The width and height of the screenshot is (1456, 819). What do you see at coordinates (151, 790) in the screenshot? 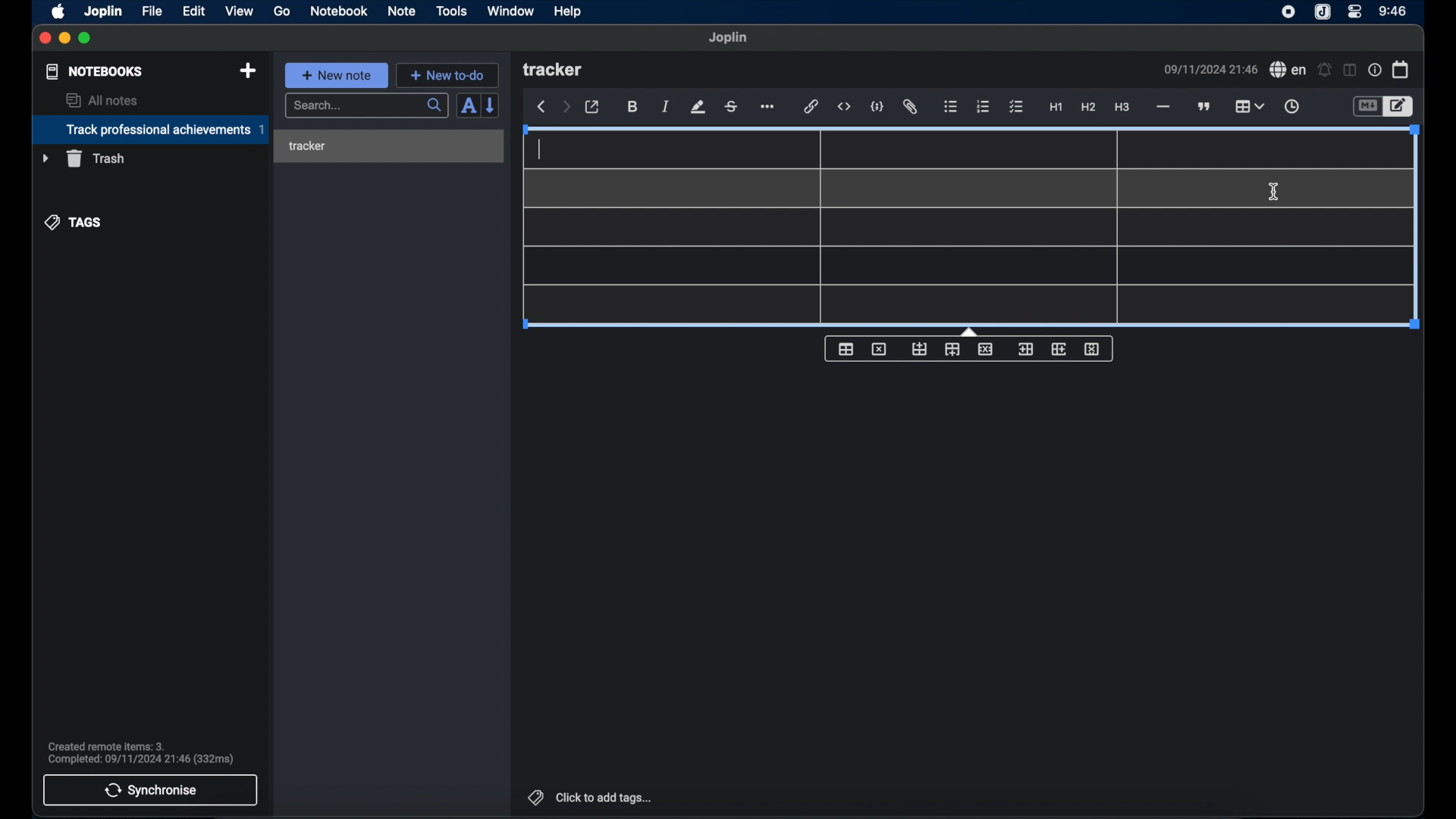
I see `synchronise` at bounding box center [151, 790].